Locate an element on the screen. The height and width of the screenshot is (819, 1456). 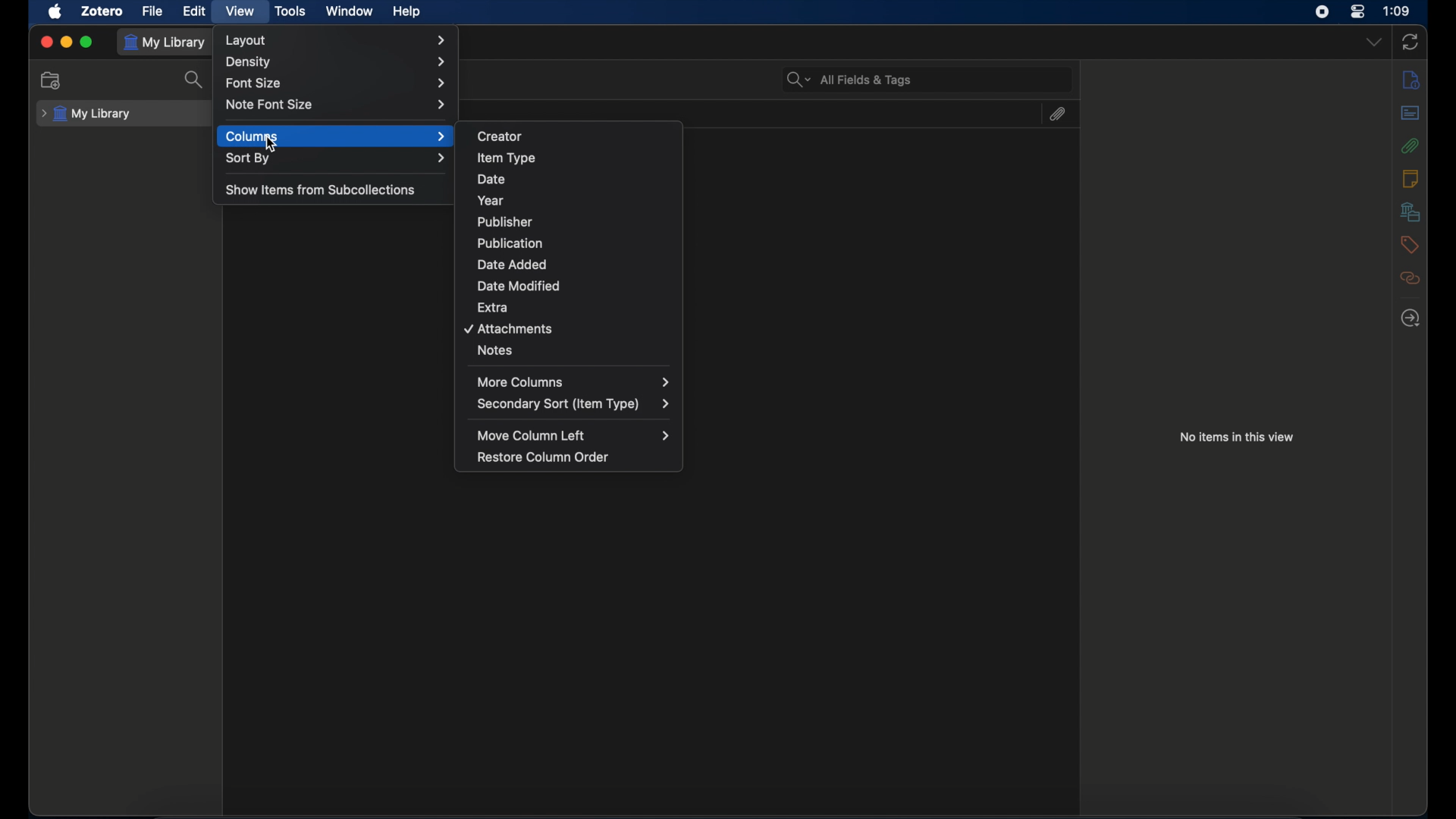
file is located at coordinates (153, 11).